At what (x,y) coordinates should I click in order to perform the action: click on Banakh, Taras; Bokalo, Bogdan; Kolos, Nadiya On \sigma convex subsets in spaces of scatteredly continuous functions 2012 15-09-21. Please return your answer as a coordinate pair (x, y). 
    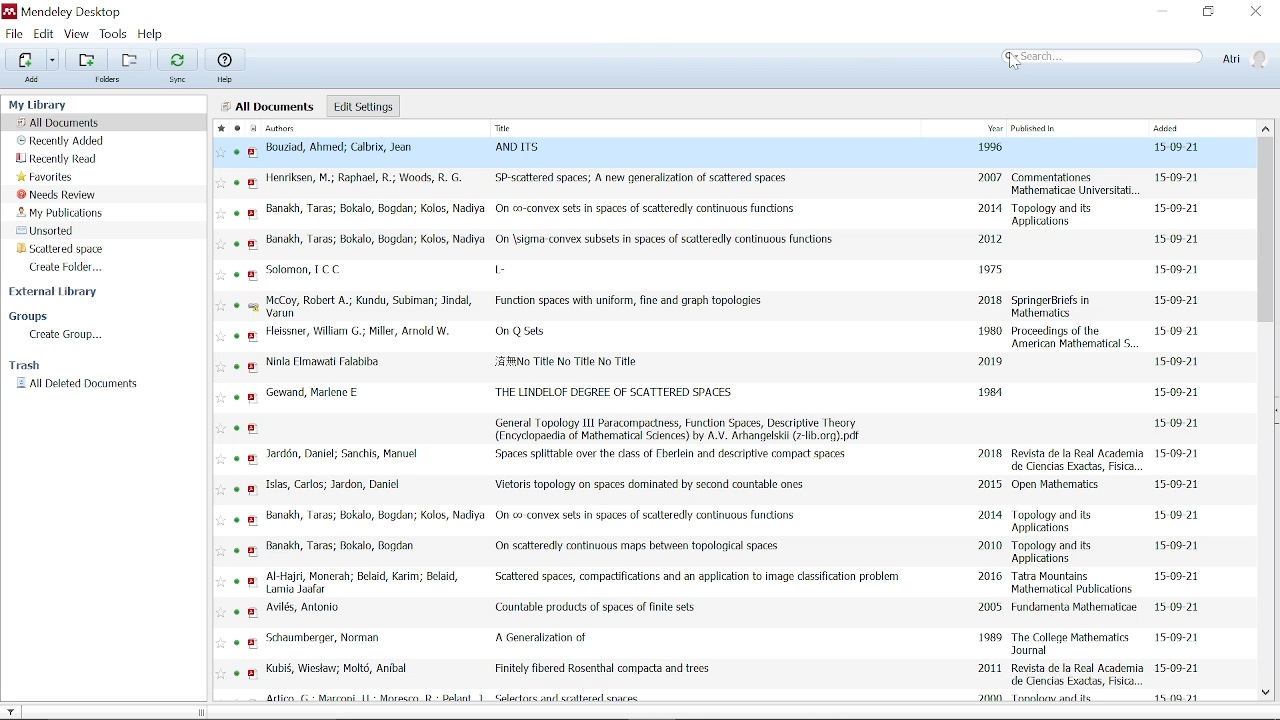
    Looking at the image, I should click on (727, 242).